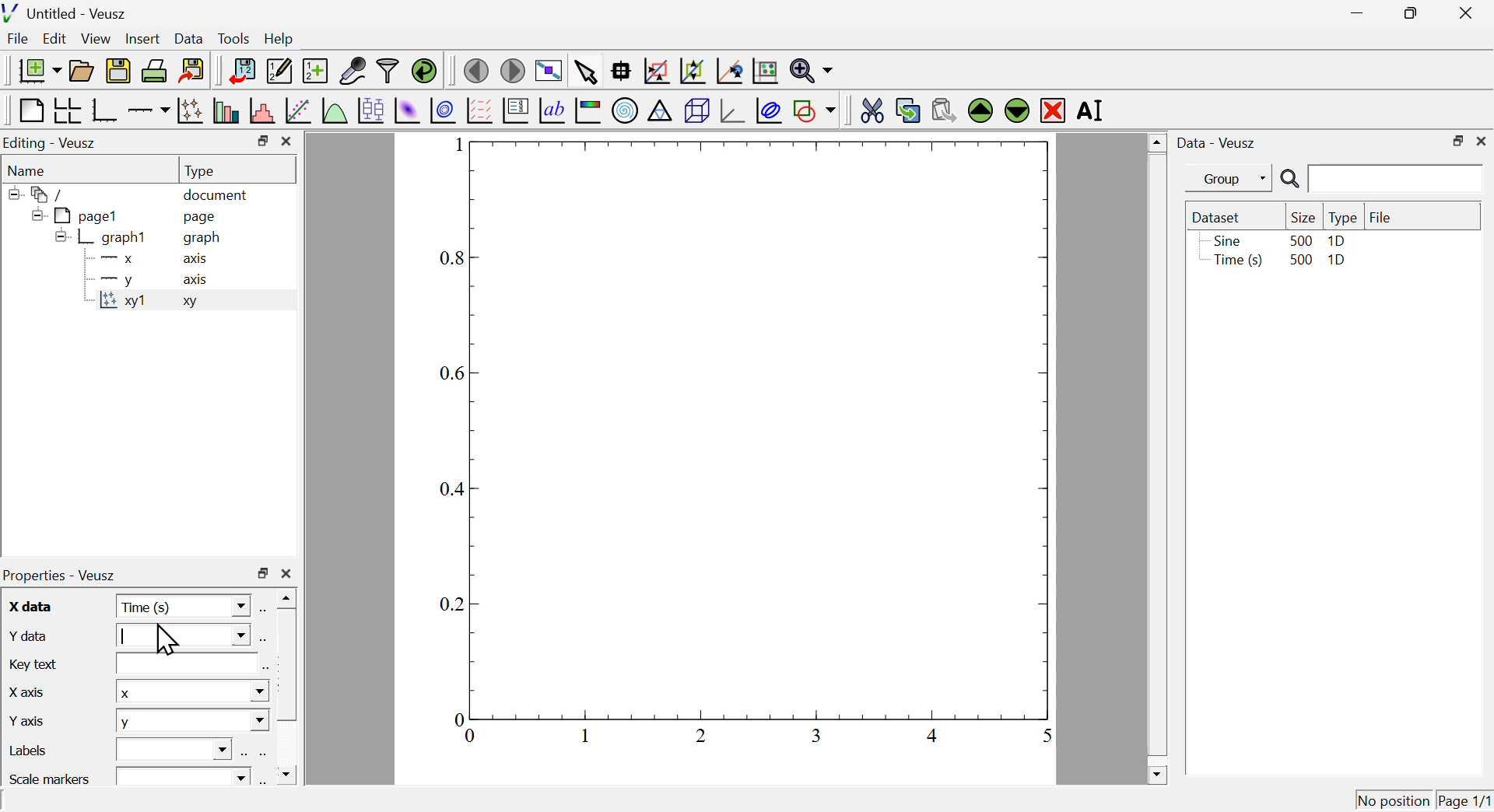  Describe the element at coordinates (1301, 217) in the screenshot. I see `size` at that location.